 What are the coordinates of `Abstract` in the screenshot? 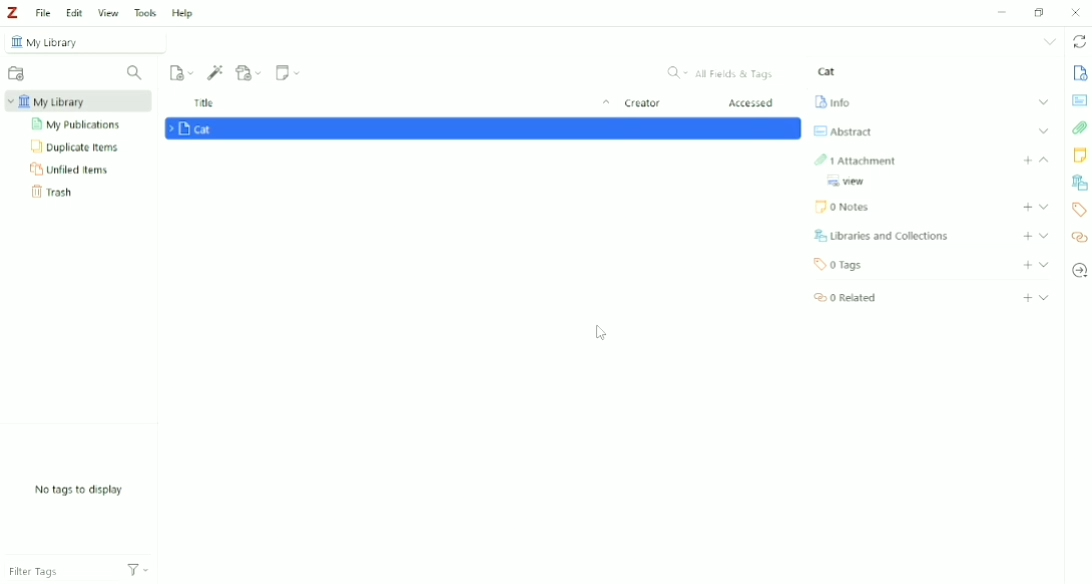 It's located at (841, 131).